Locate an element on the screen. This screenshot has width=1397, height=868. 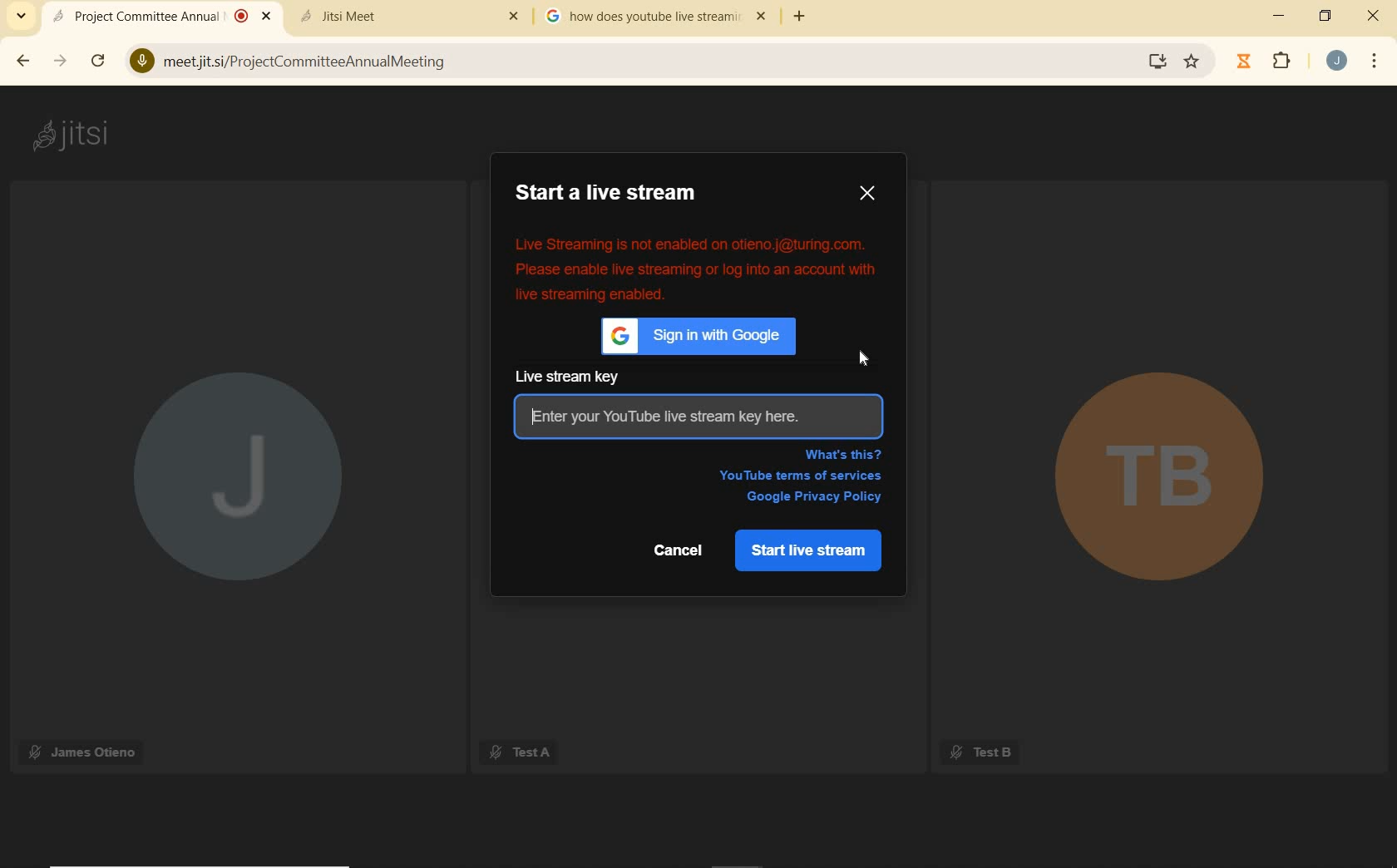
timer is located at coordinates (1244, 61).